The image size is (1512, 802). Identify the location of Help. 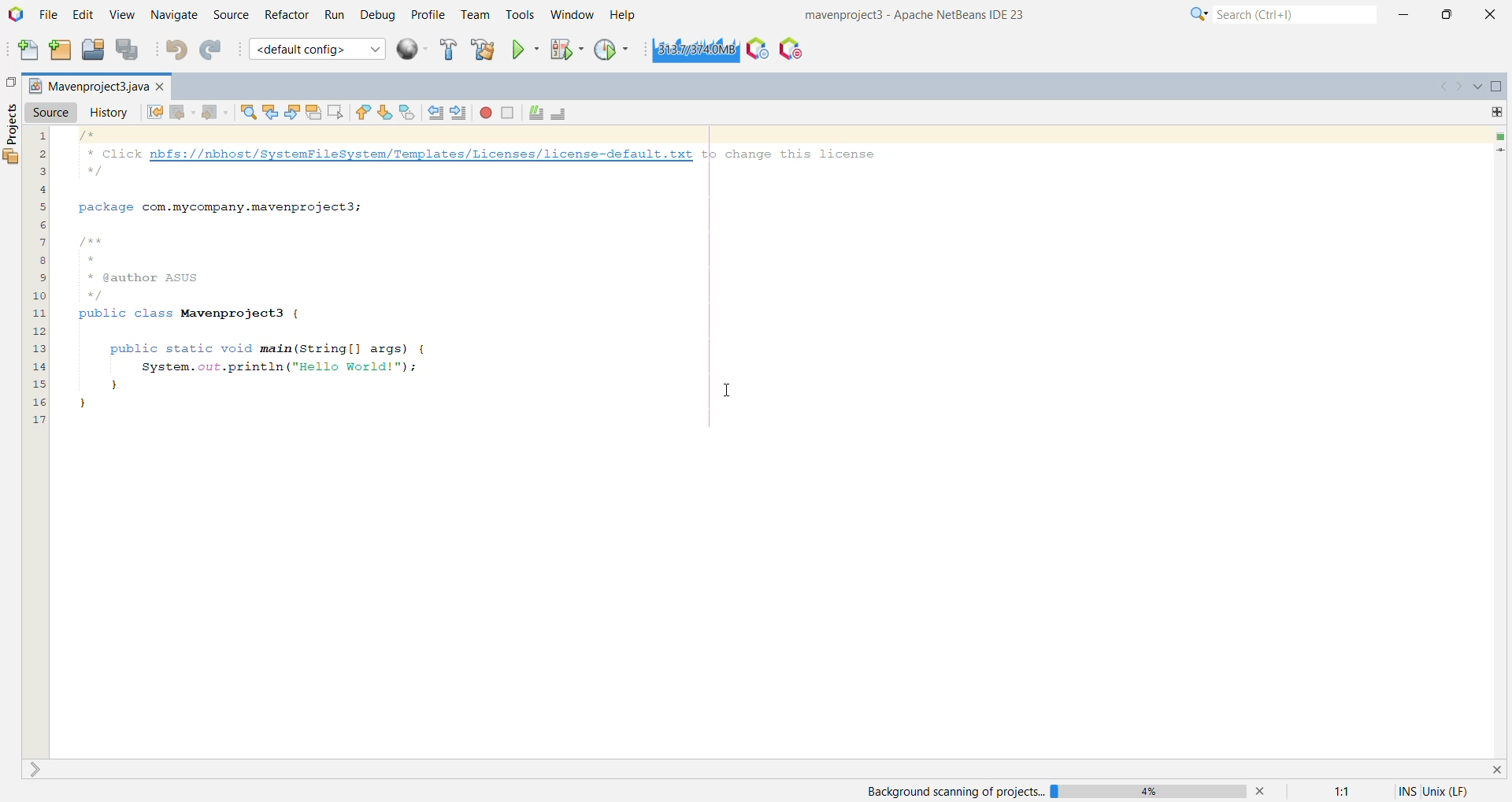
(623, 16).